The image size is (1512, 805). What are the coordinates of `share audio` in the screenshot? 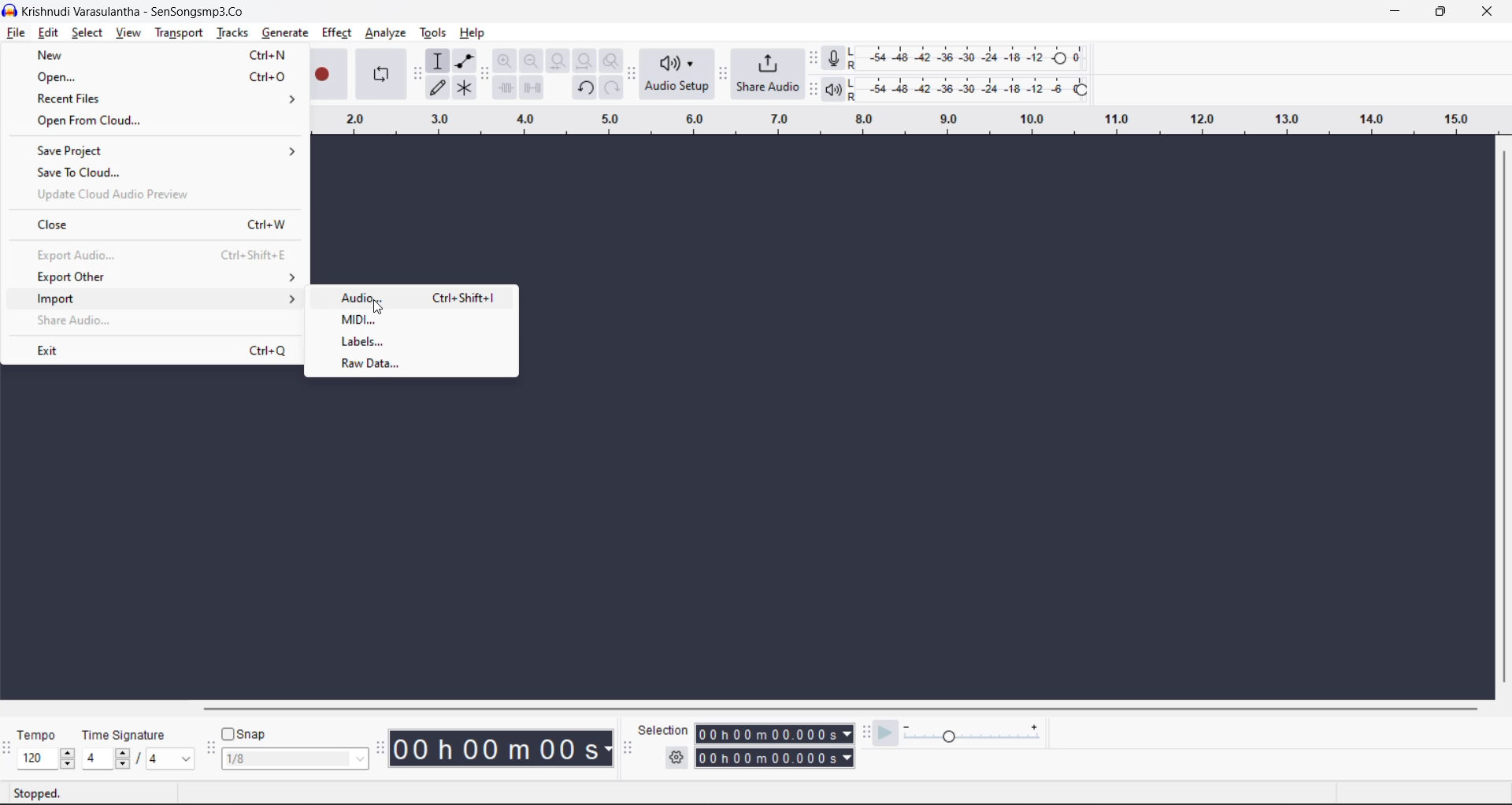 It's located at (769, 72).